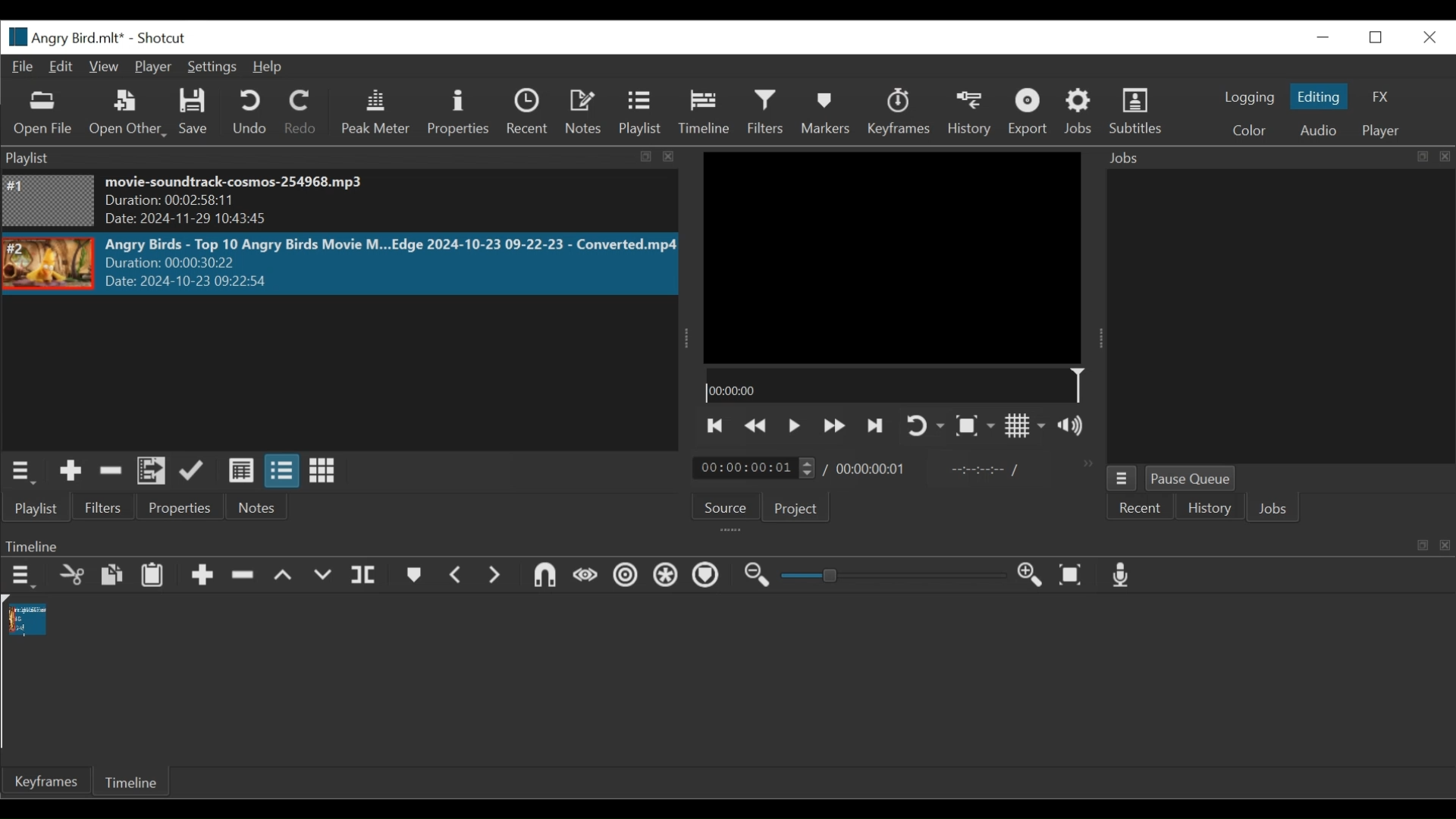 The image size is (1456, 819). What do you see at coordinates (65, 36) in the screenshot?
I see `File Name` at bounding box center [65, 36].